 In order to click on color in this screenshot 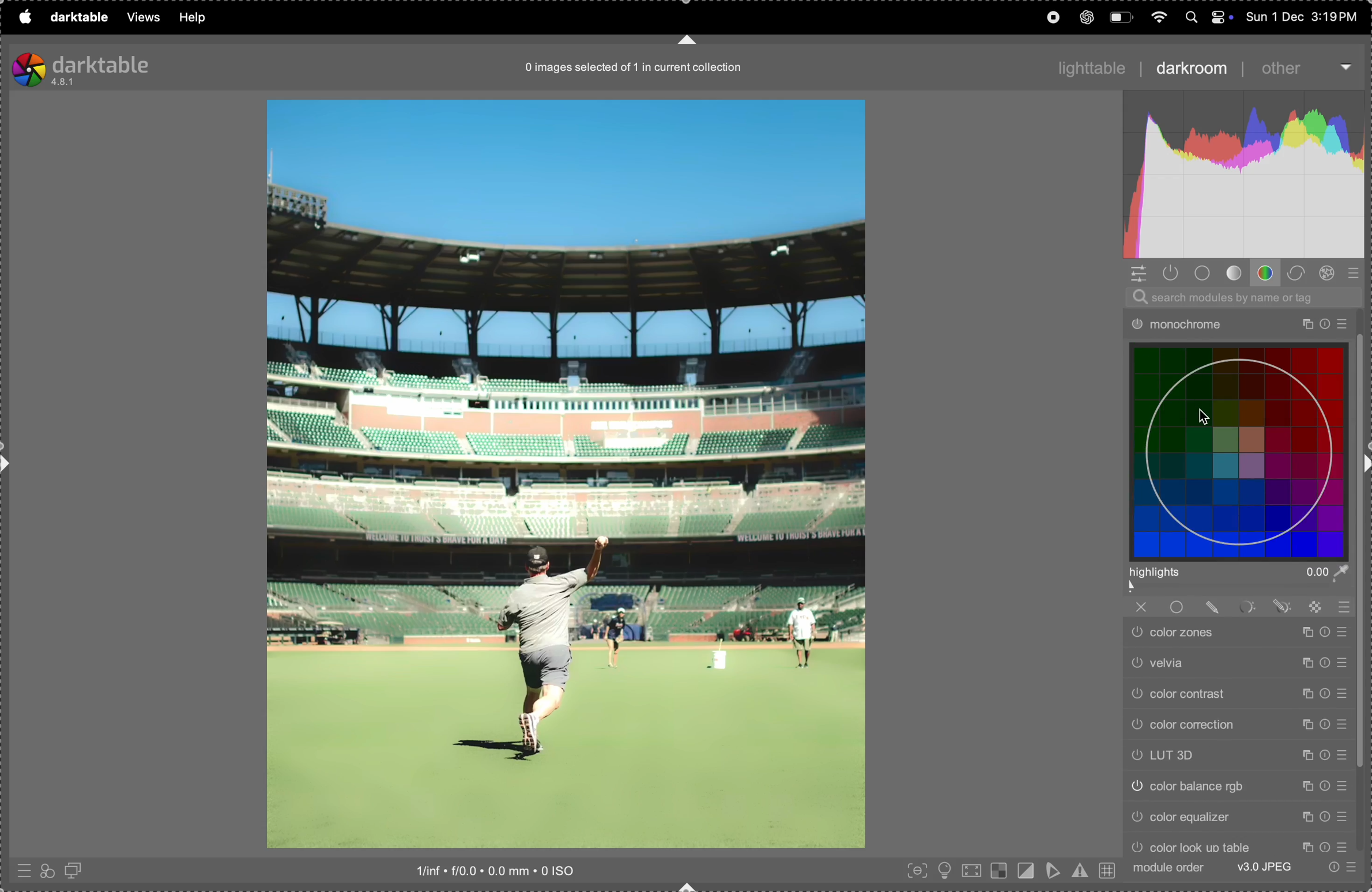, I will do `click(1268, 273)`.